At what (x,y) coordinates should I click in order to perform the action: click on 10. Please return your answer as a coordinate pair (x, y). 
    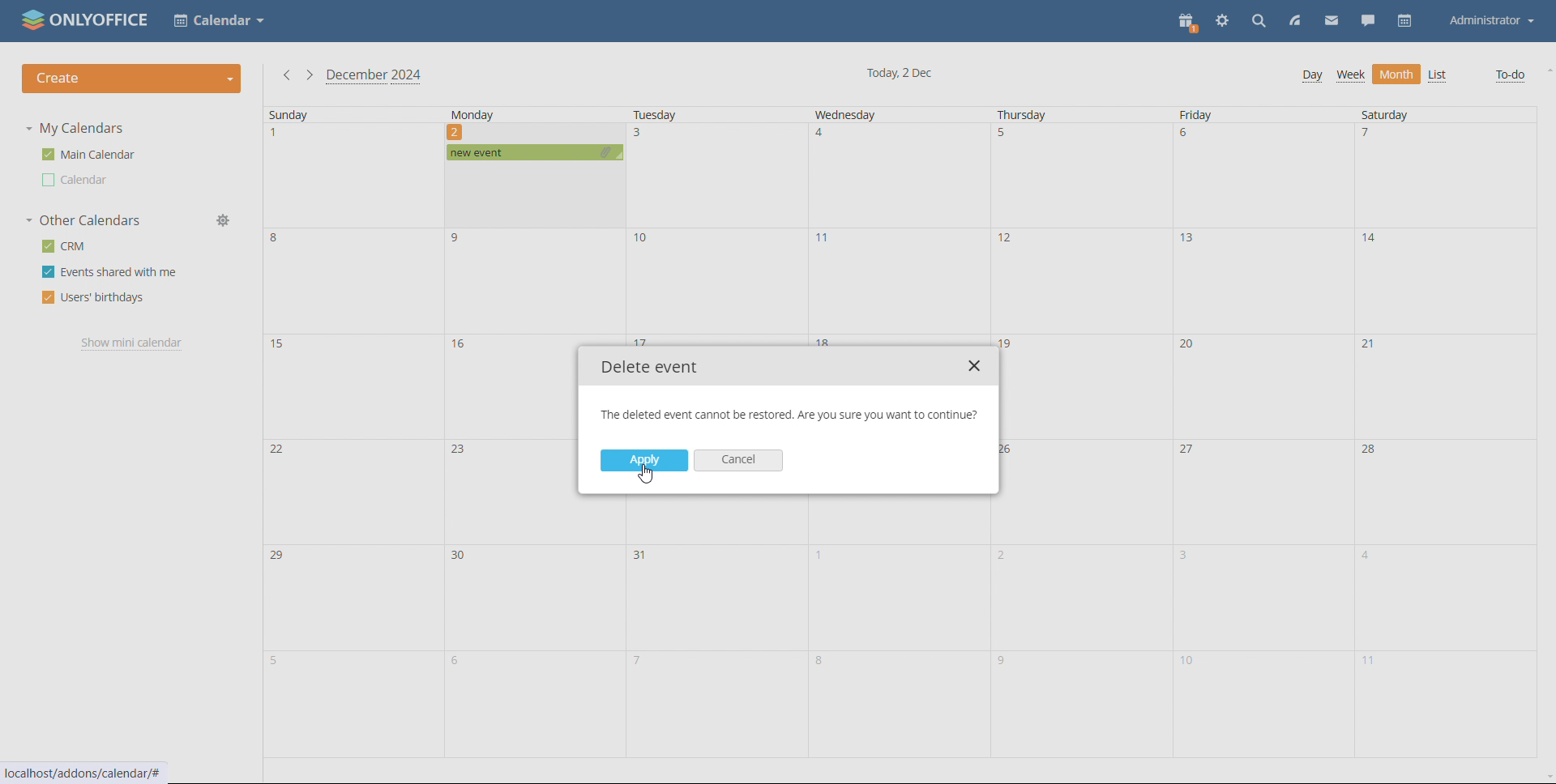
    Looking at the image, I should click on (1193, 666).